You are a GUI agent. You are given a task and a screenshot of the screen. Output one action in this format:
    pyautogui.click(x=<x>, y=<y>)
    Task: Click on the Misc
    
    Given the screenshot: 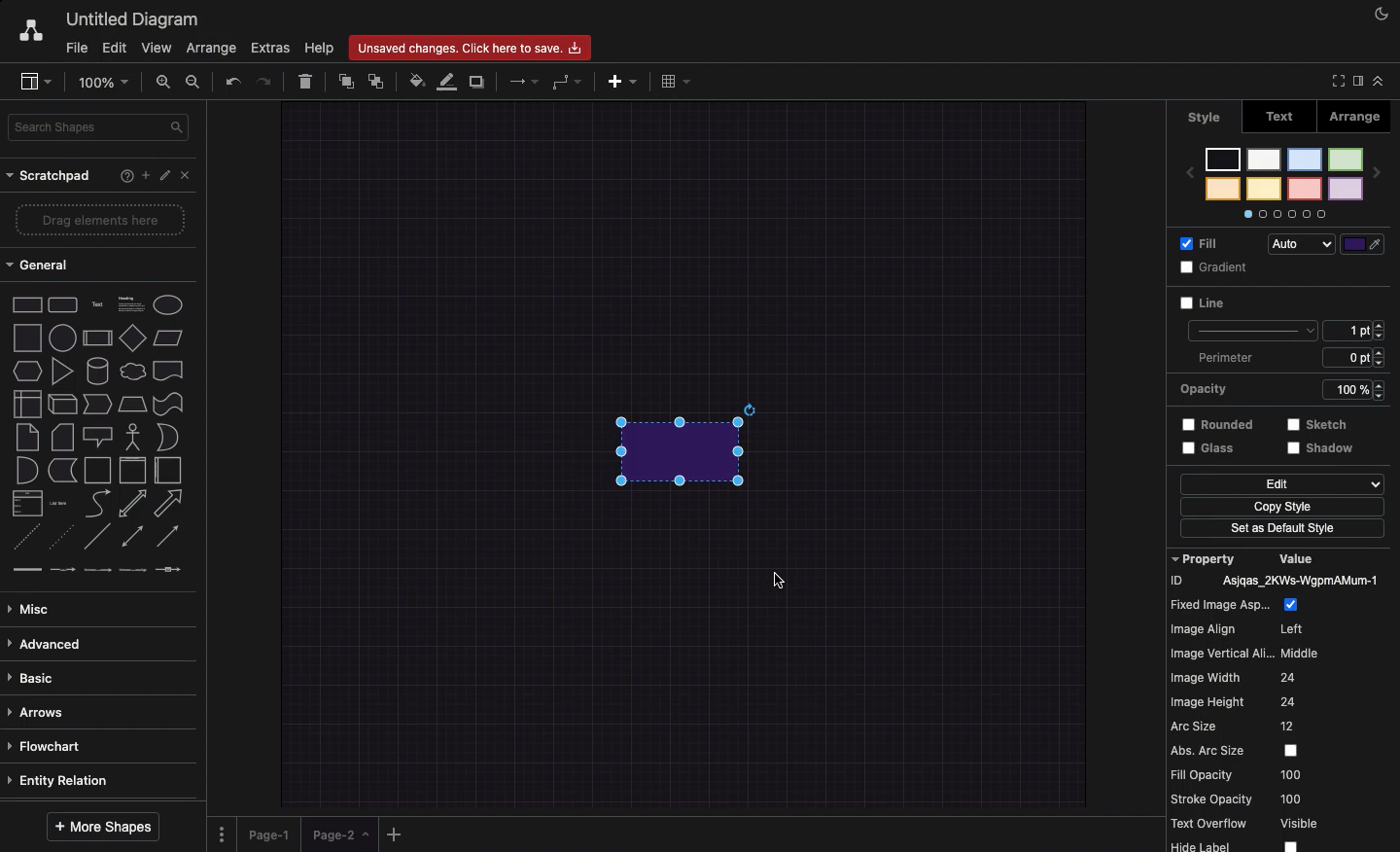 What is the action you would take?
    pyautogui.click(x=34, y=604)
    